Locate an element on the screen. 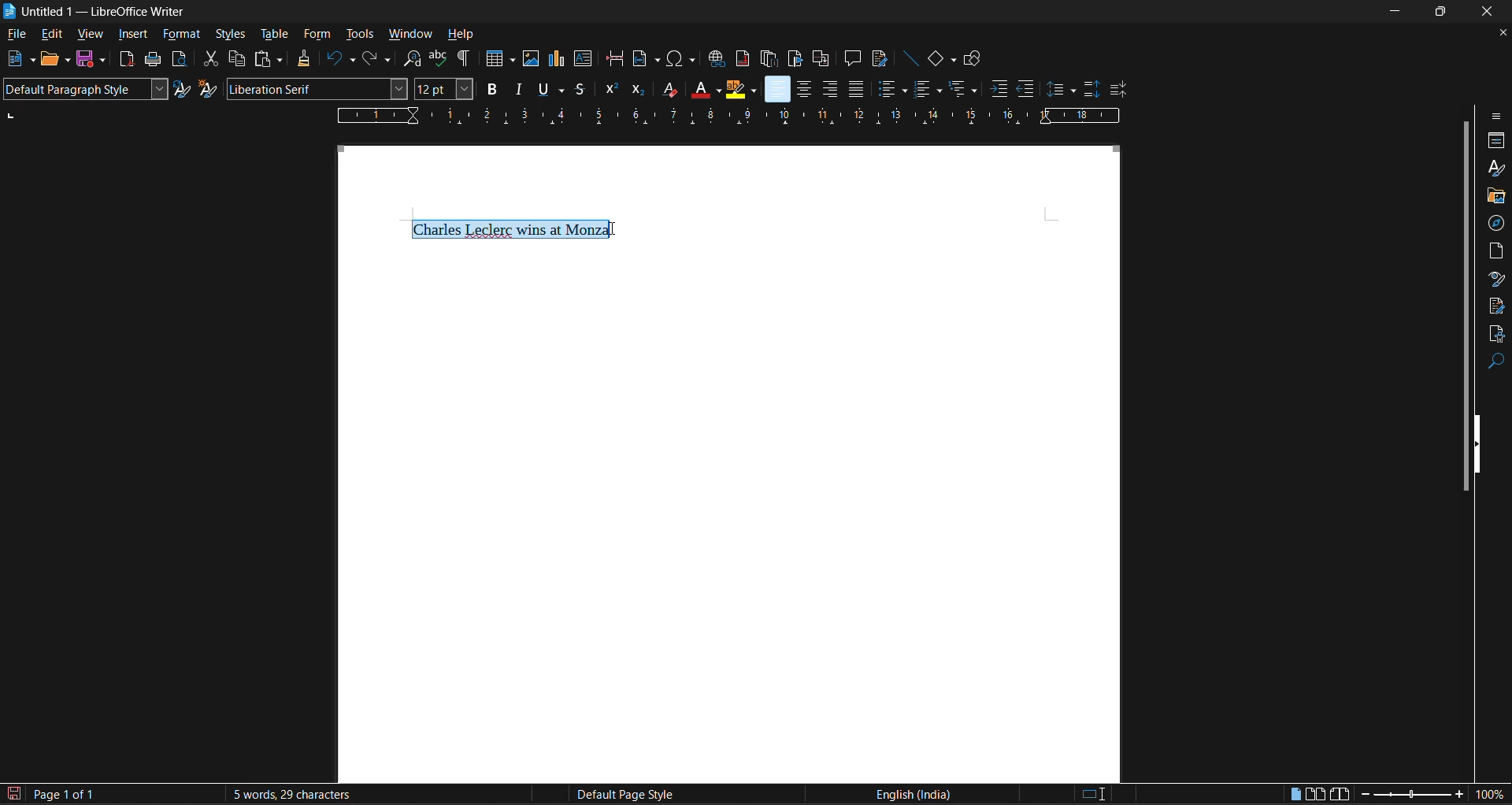 The height and width of the screenshot is (805, 1512). increase indent is located at coordinates (1000, 88).